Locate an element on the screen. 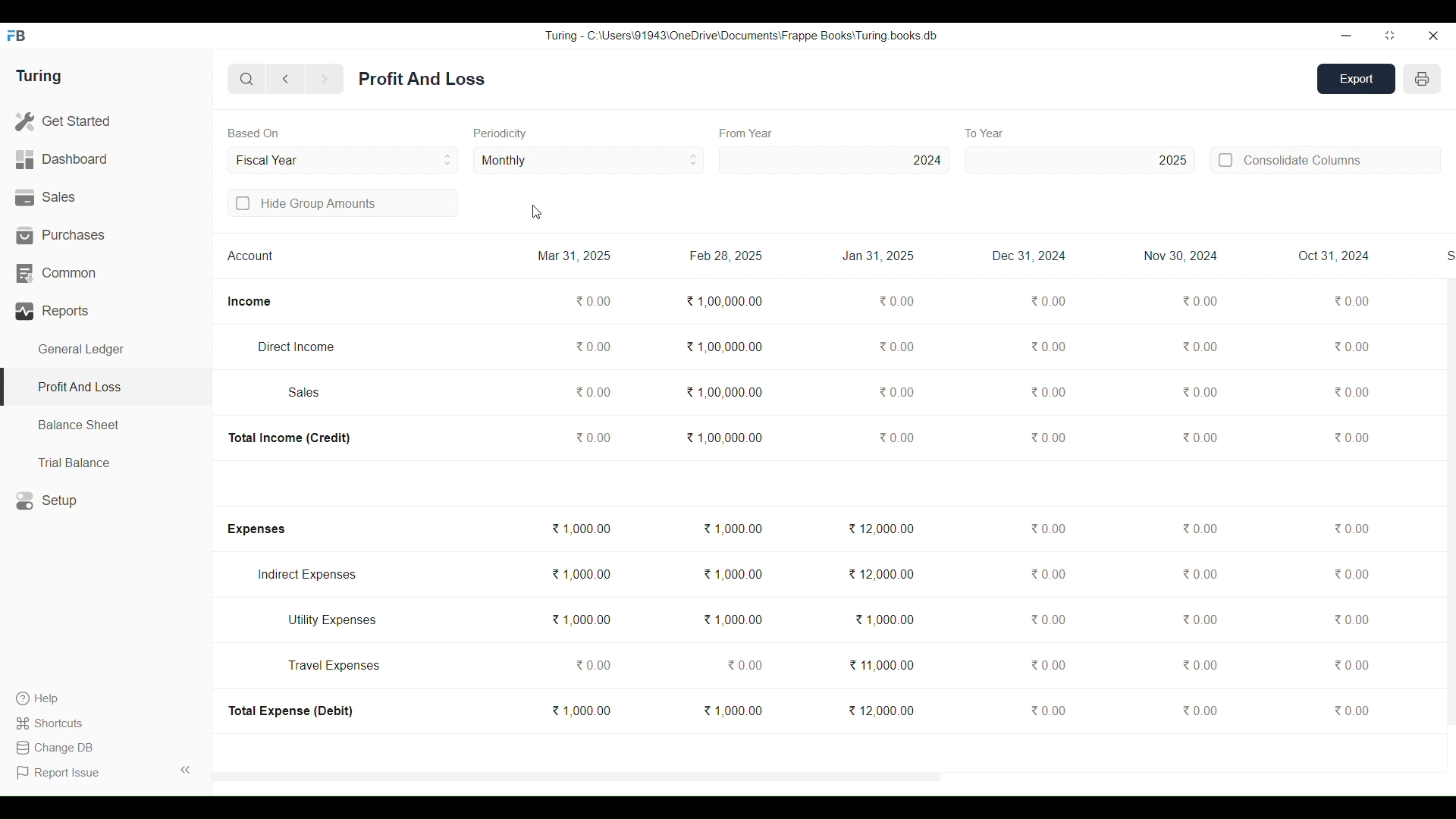 This screenshot has width=1456, height=819. Common is located at coordinates (105, 274).